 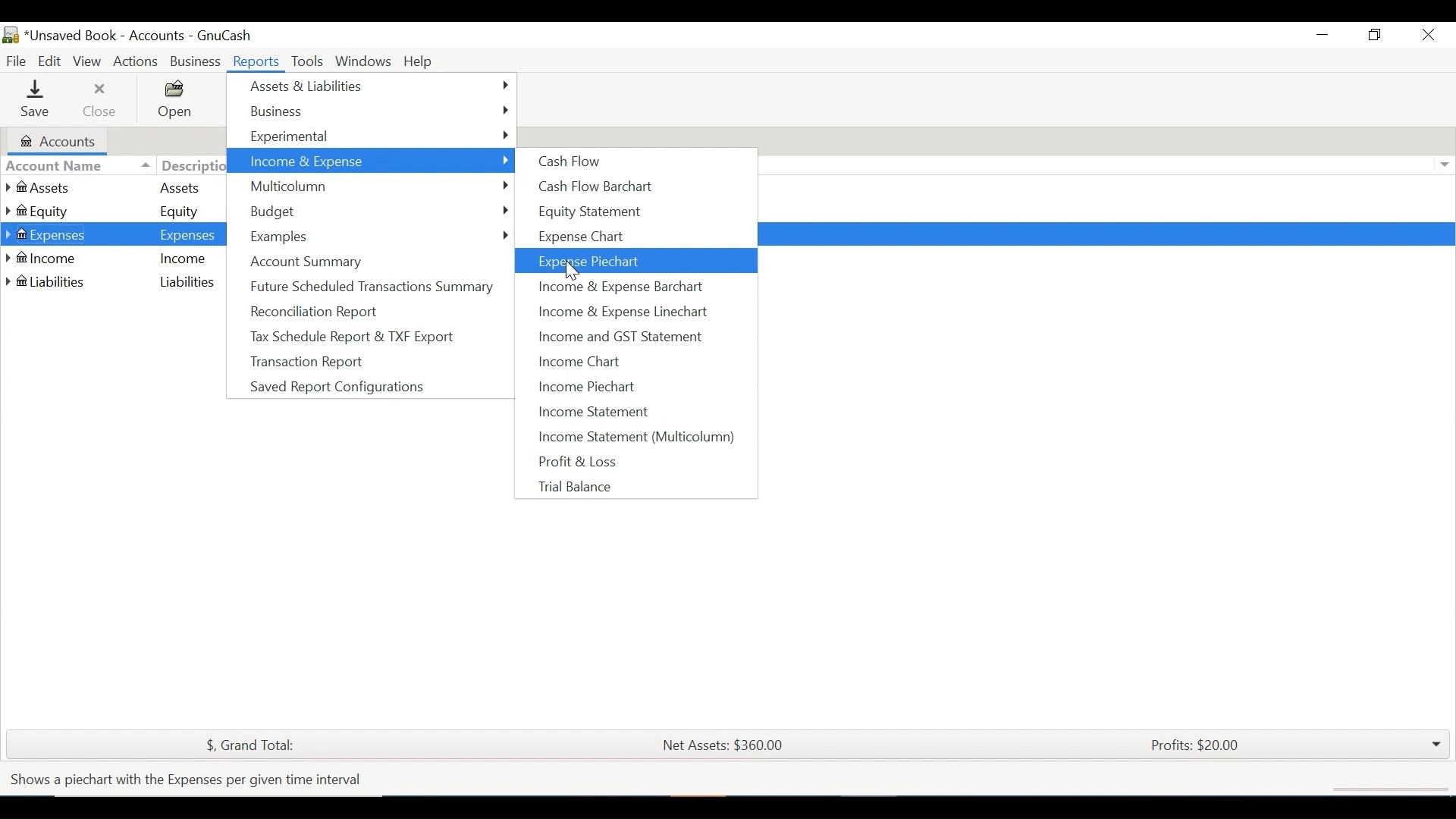 What do you see at coordinates (303, 262) in the screenshot?
I see `Account Summary` at bounding box center [303, 262].